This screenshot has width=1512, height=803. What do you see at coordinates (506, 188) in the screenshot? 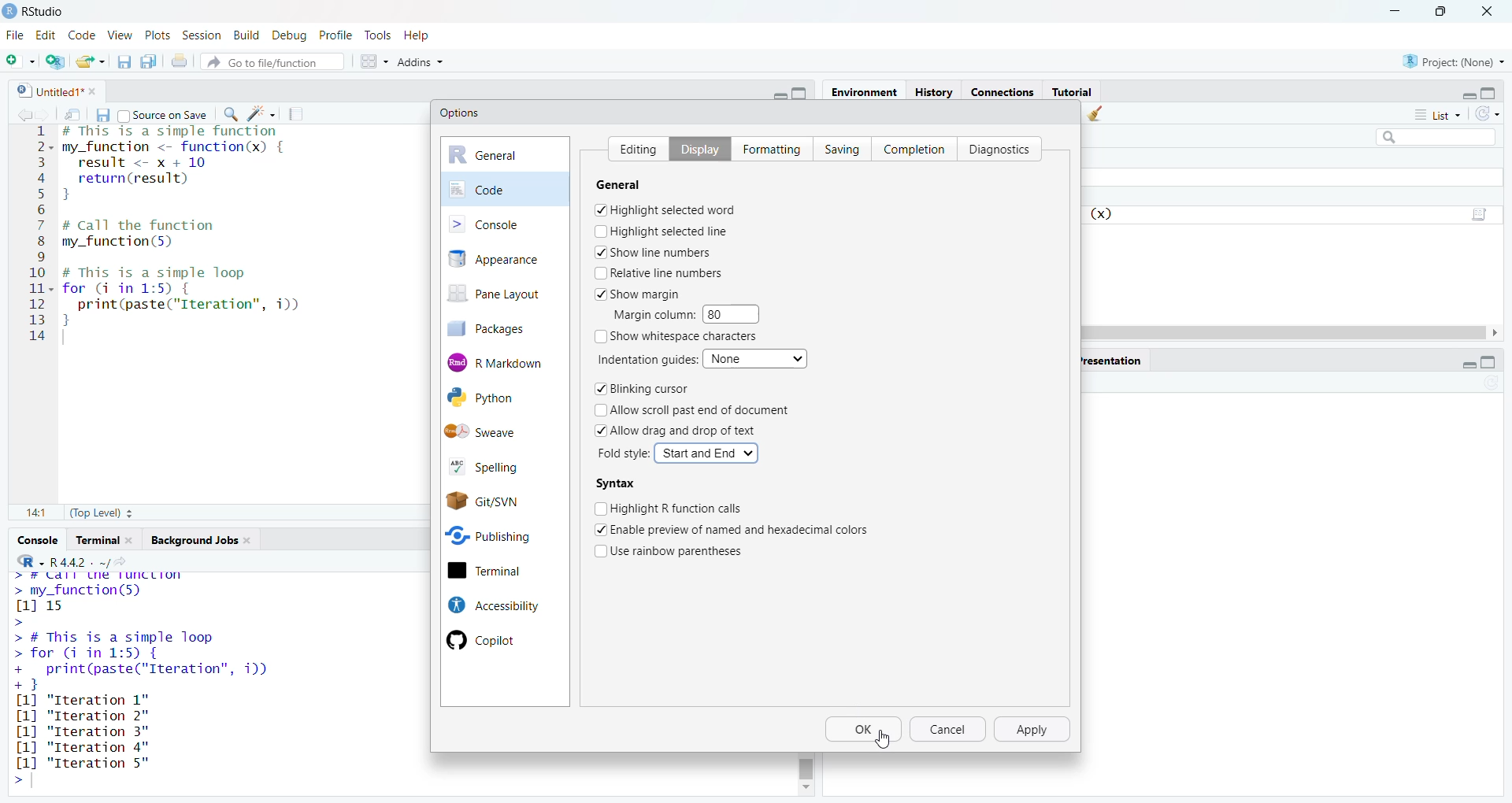
I see `code` at bounding box center [506, 188].